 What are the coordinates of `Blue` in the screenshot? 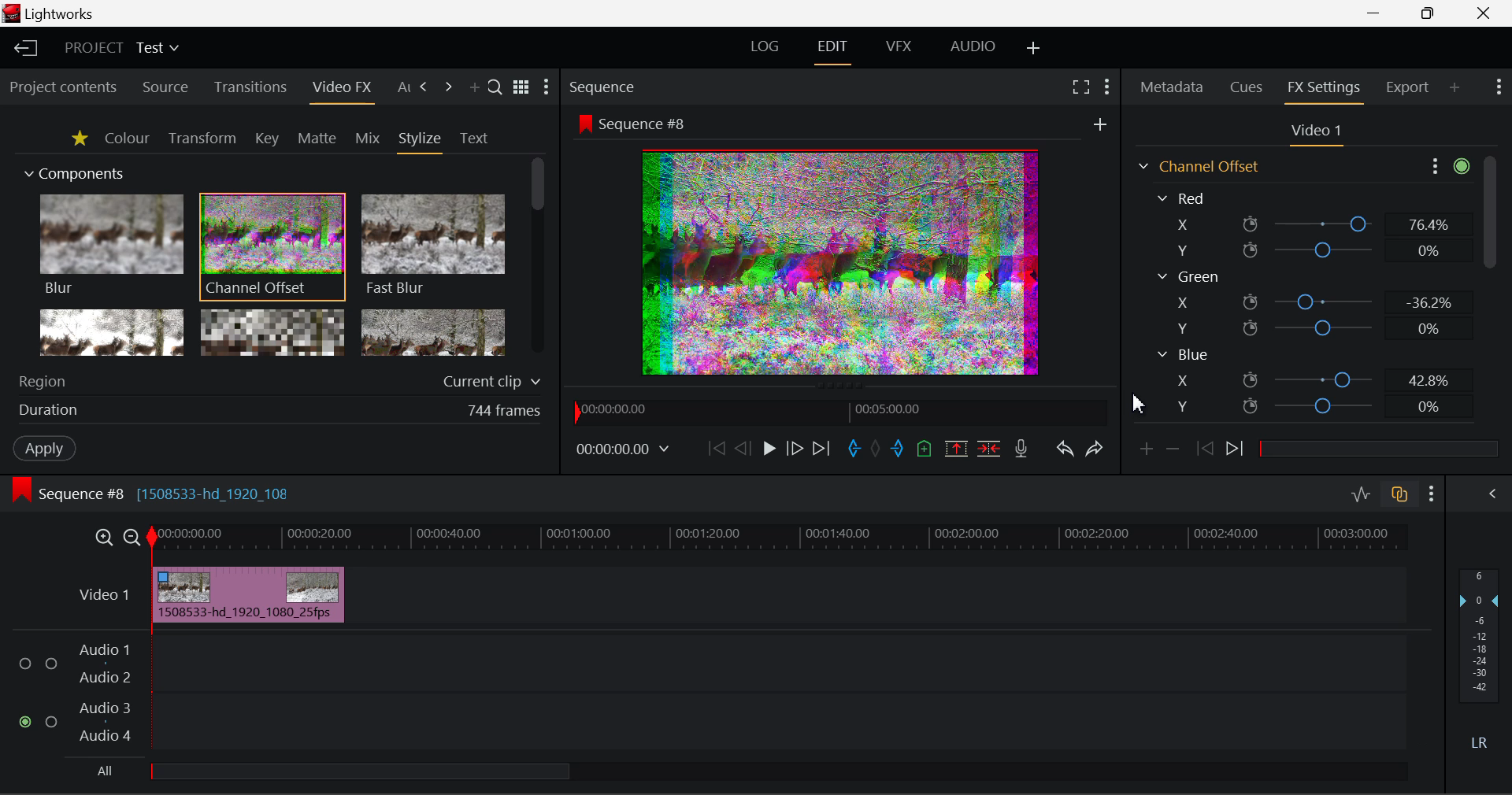 It's located at (1183, 355).